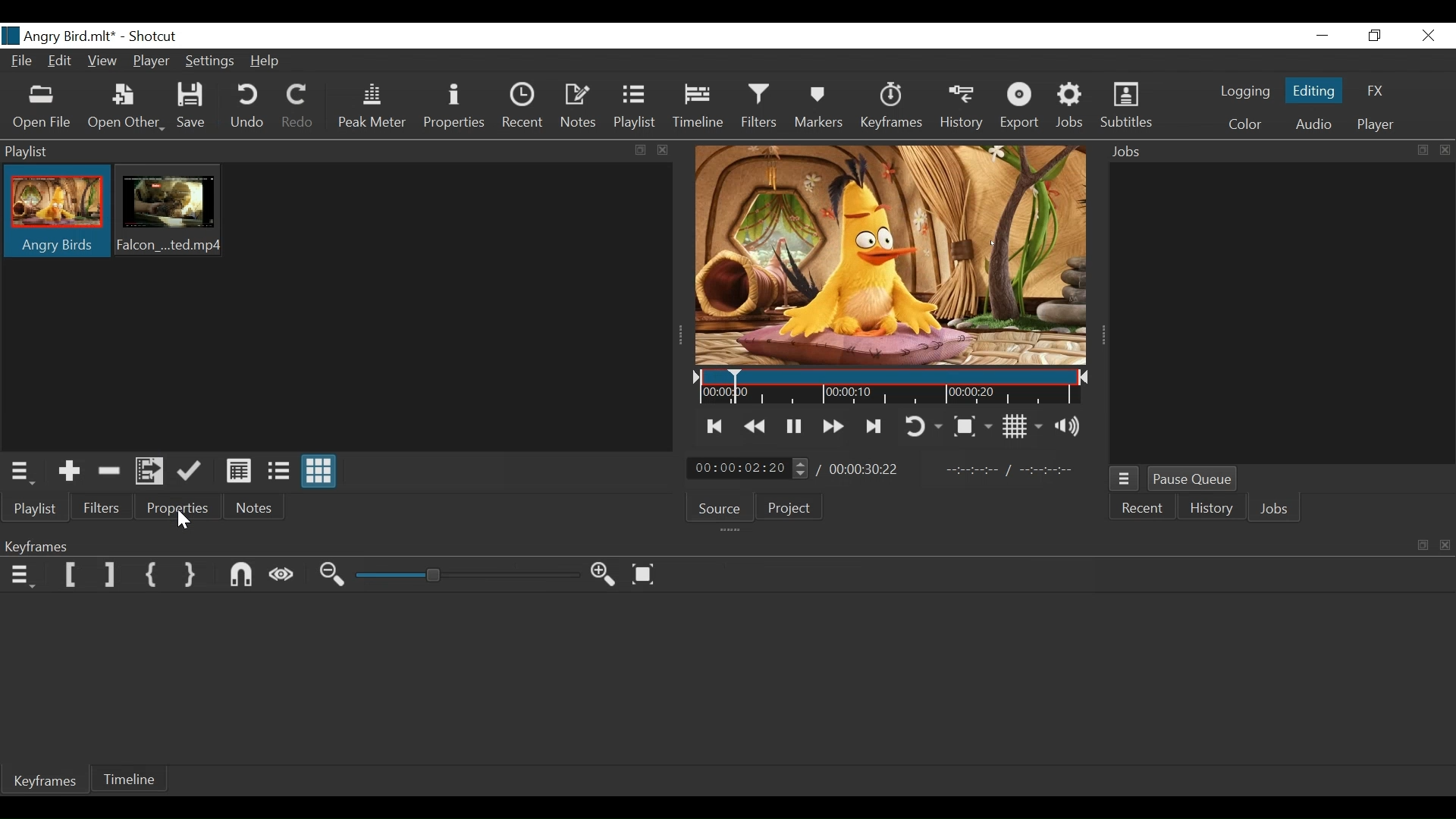  I want to click on Jobs Panel, so click(1275, 152).